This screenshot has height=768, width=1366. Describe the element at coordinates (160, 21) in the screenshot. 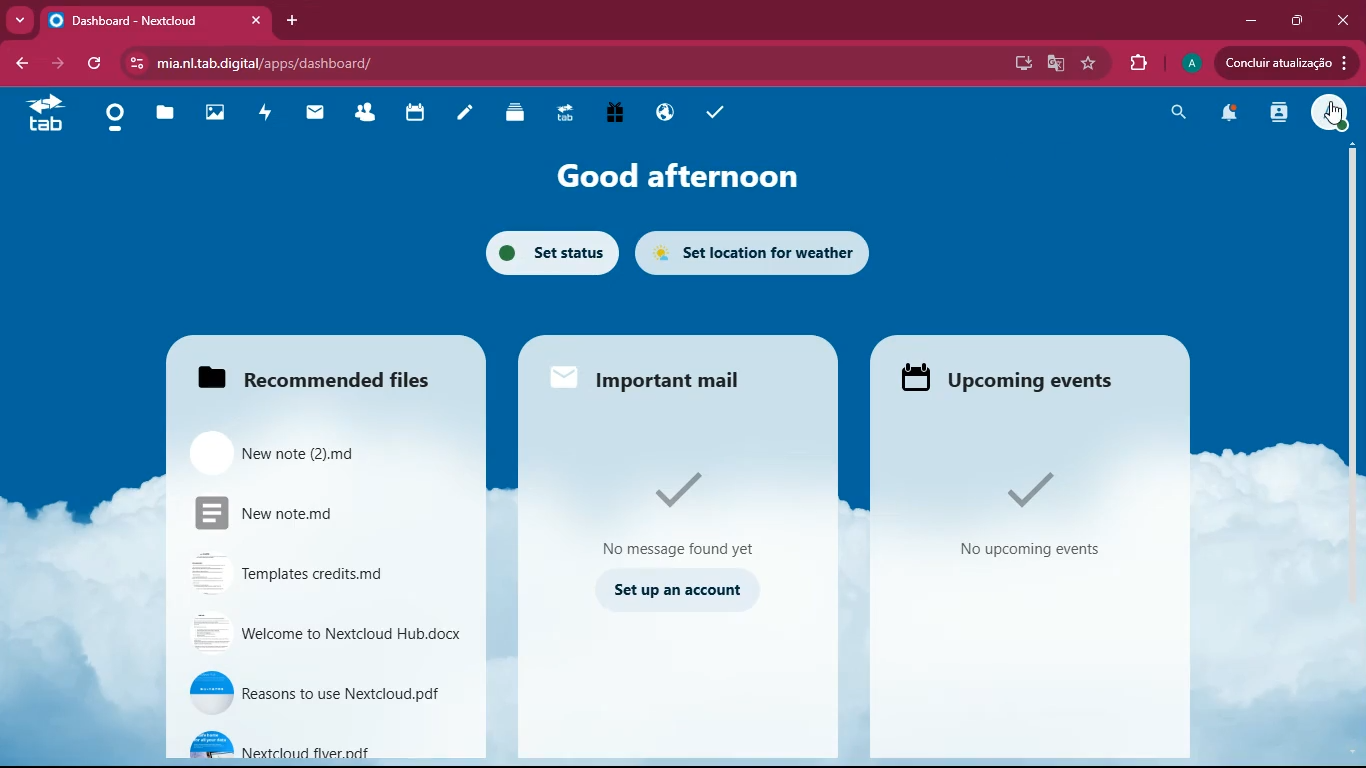

I see `tab` at that location.